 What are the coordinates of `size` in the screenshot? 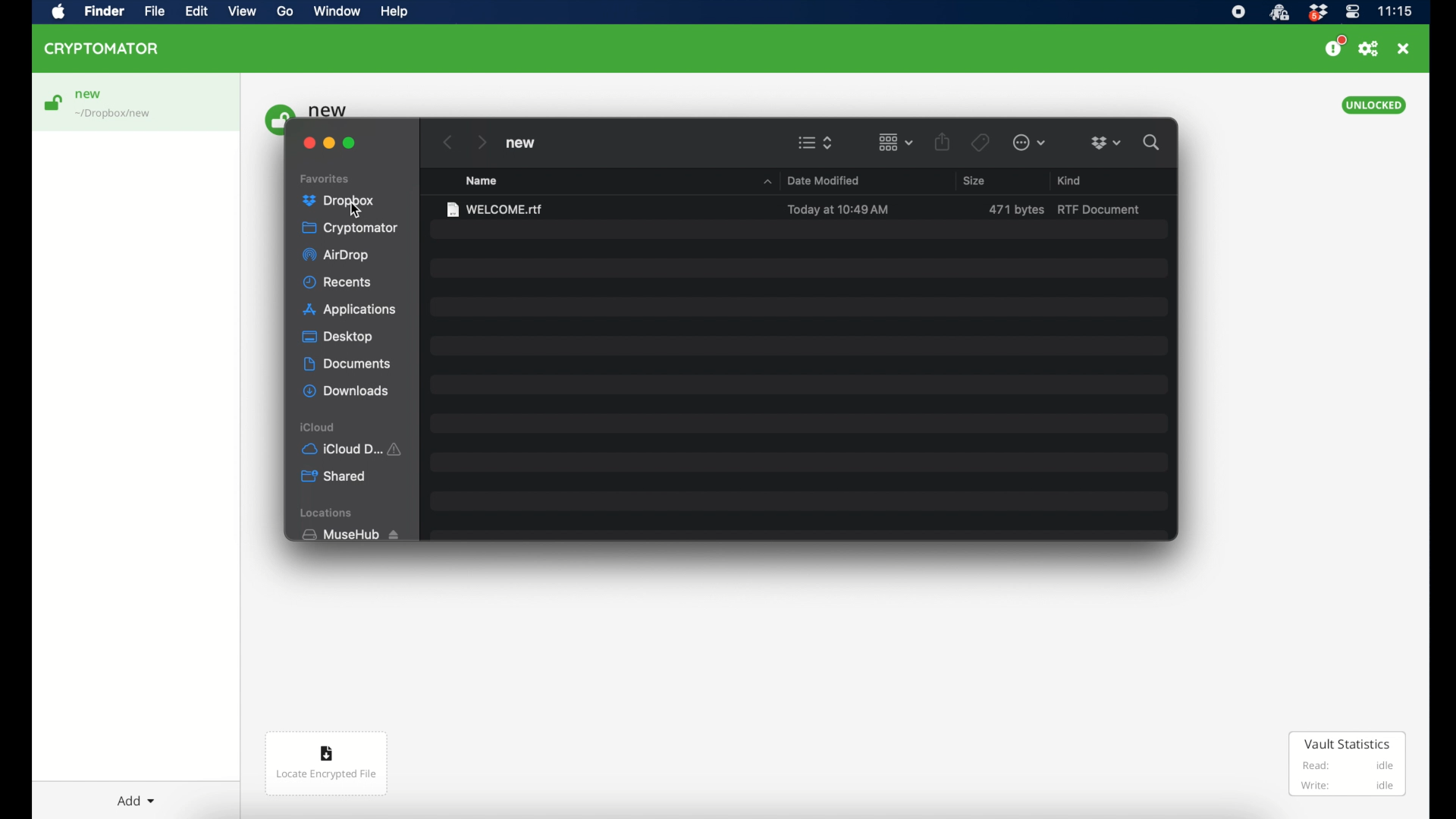 It's located at (974, 180).